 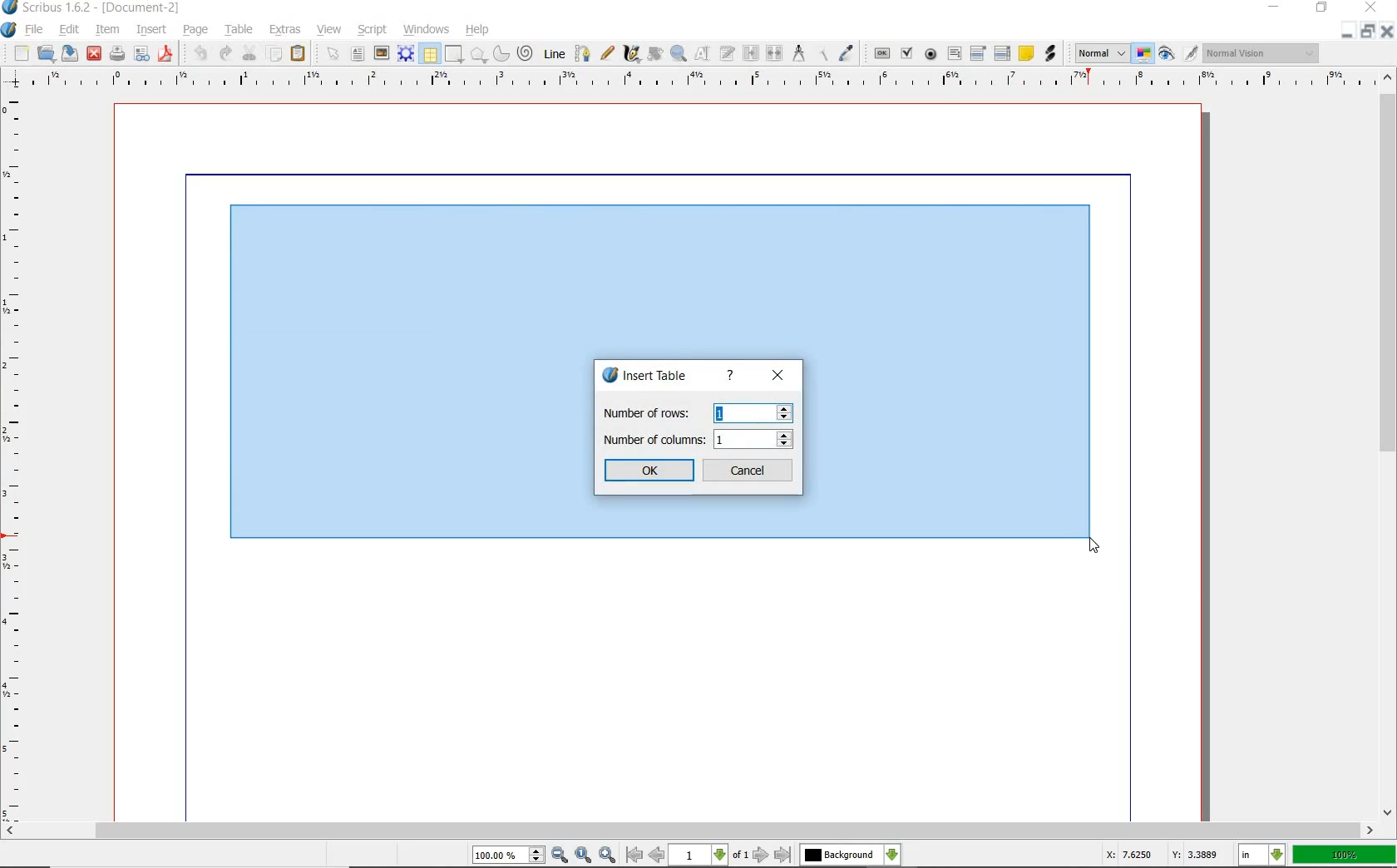 What do you see at coordinates (708, 856) in the screenshot?
I see `select current page` at bounding box center [708, 856].